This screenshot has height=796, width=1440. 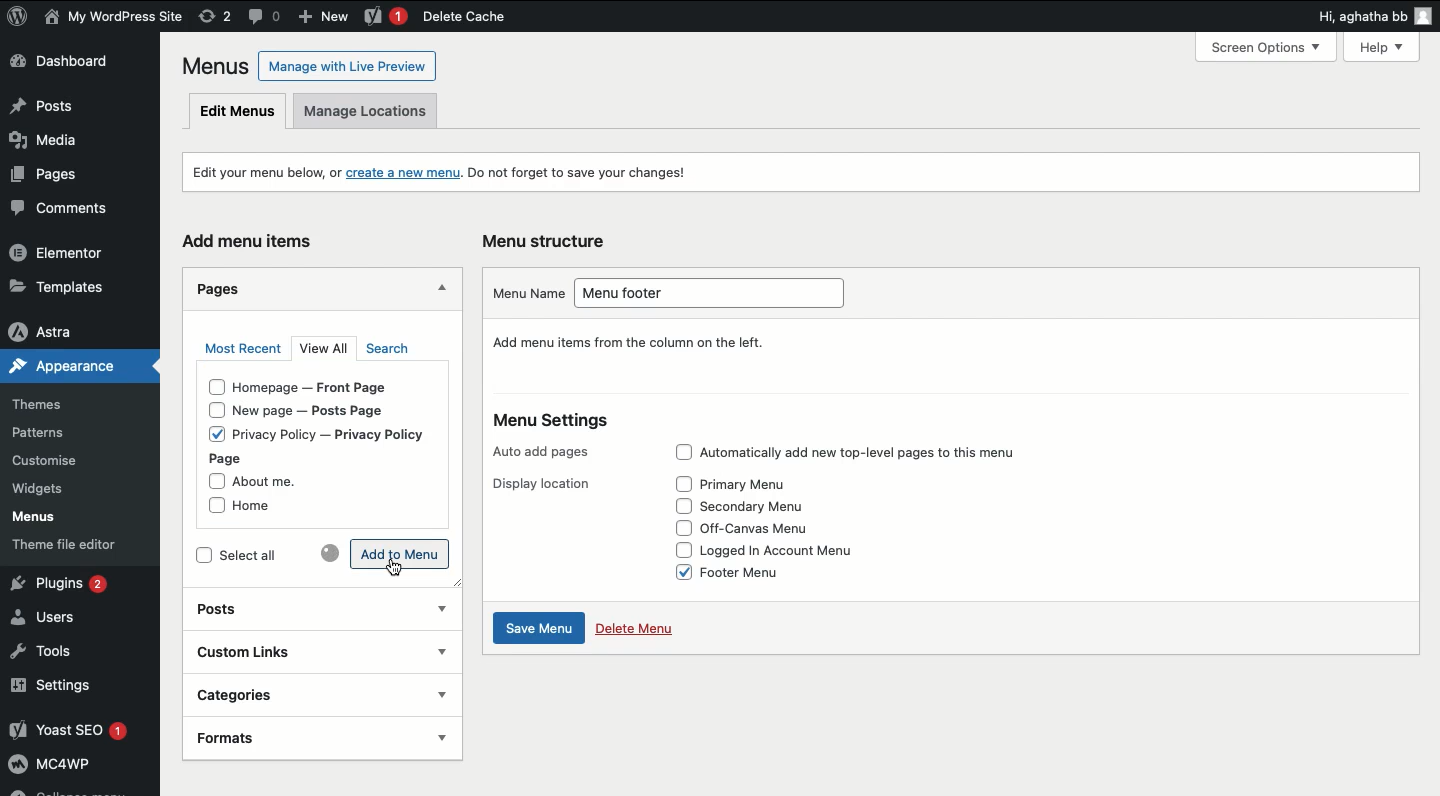 What do you see at coordinates (301, 607) in the screenshot?
I see `Posts` at bounding box center [301, 607].